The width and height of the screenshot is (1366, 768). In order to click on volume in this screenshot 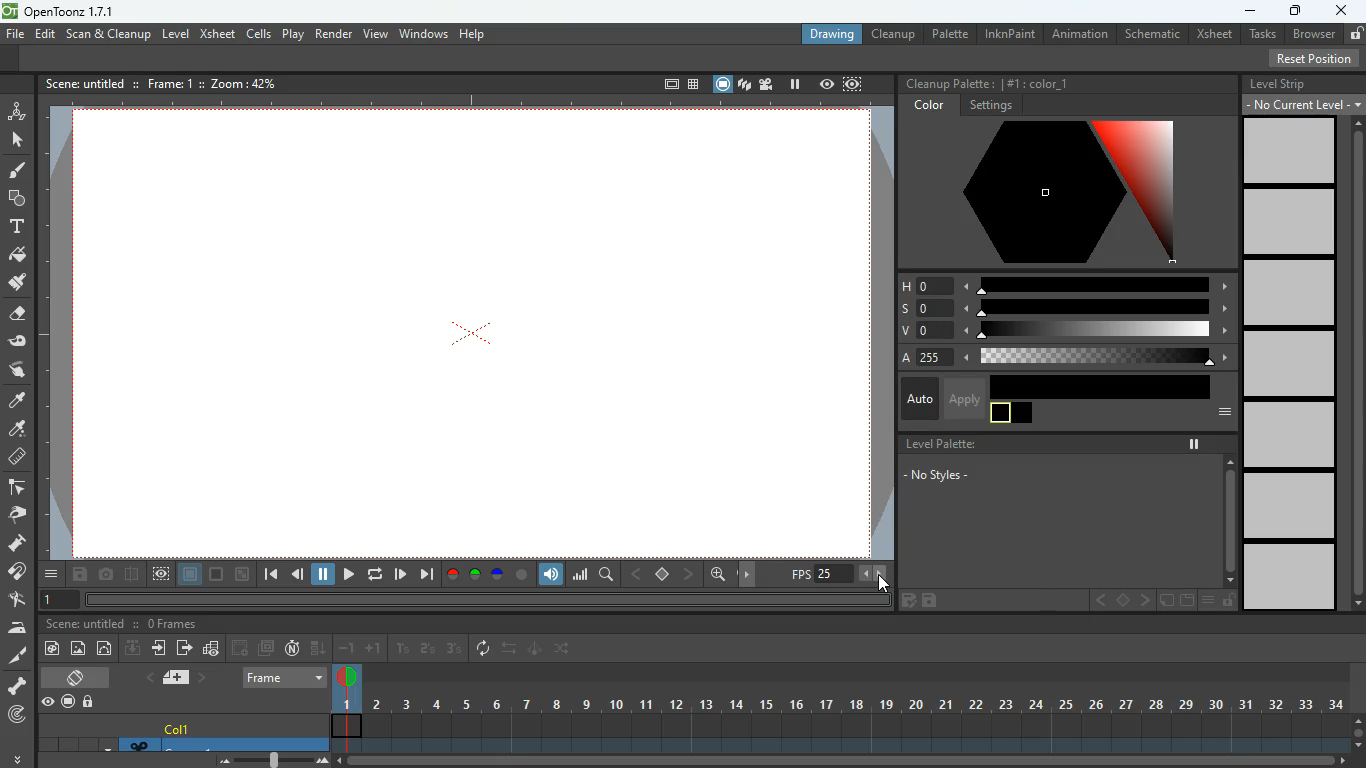, I will do `click(552, 574)`.